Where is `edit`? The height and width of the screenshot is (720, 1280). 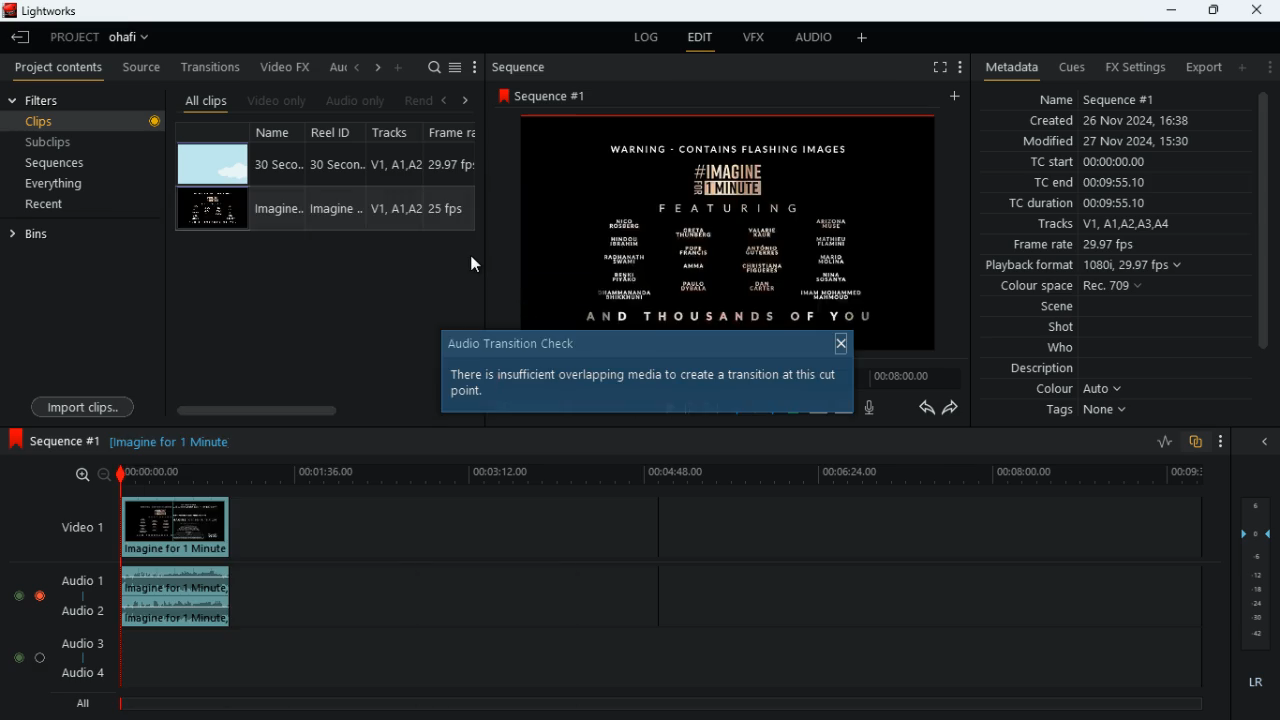
edit is located at coordinates (700, 40).